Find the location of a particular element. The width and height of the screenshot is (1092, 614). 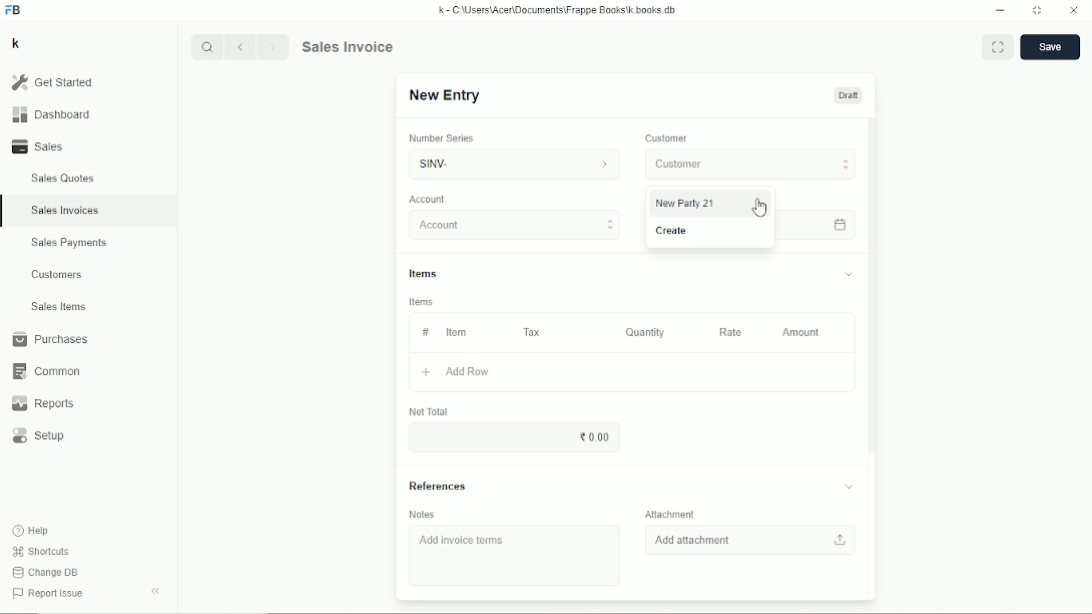

Reports is located at coordinates (42, 404).